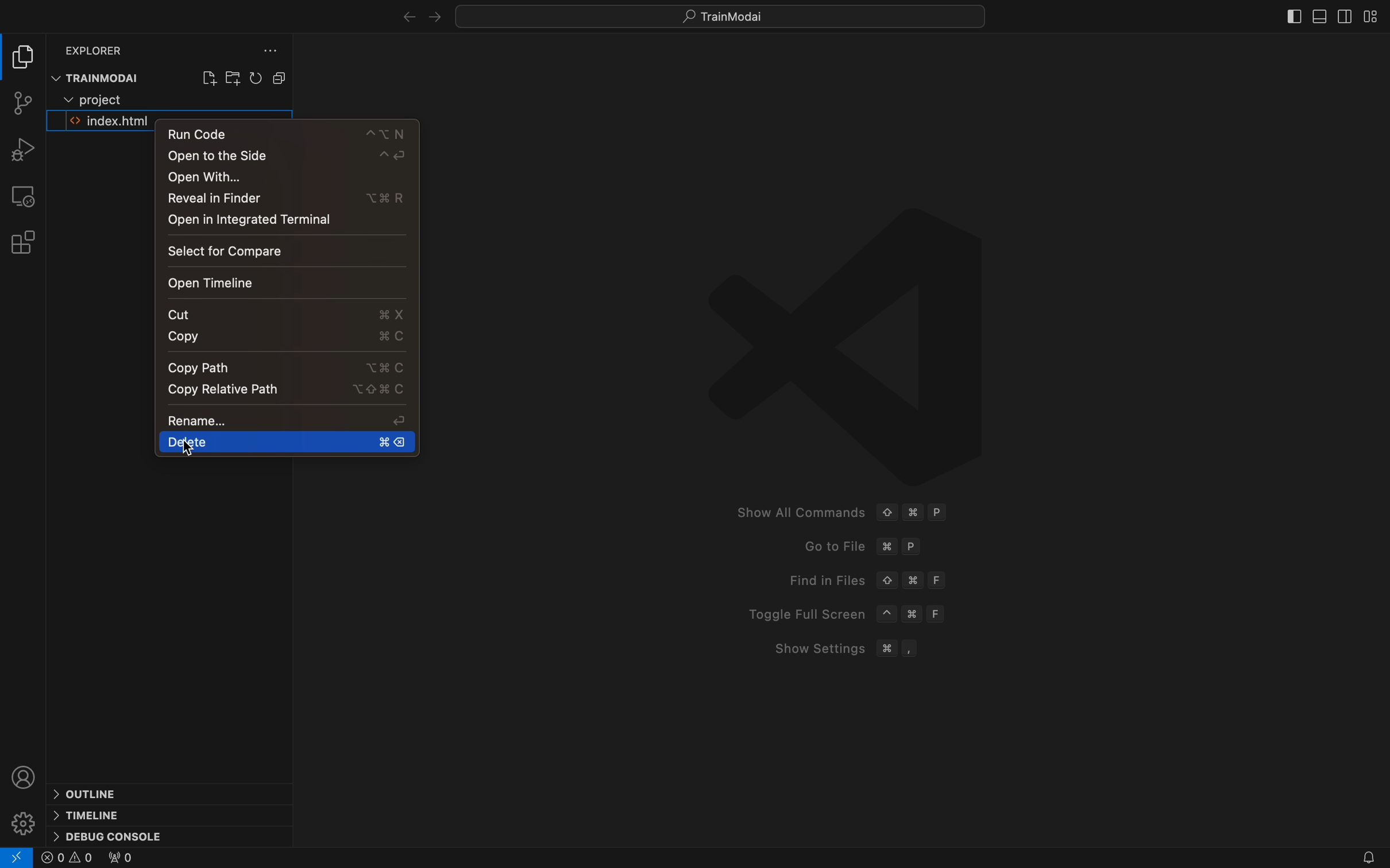  What do you see at coordinates (1356, 854) in the screenshot?
I see `notification` at bounding box center [1356, 854].